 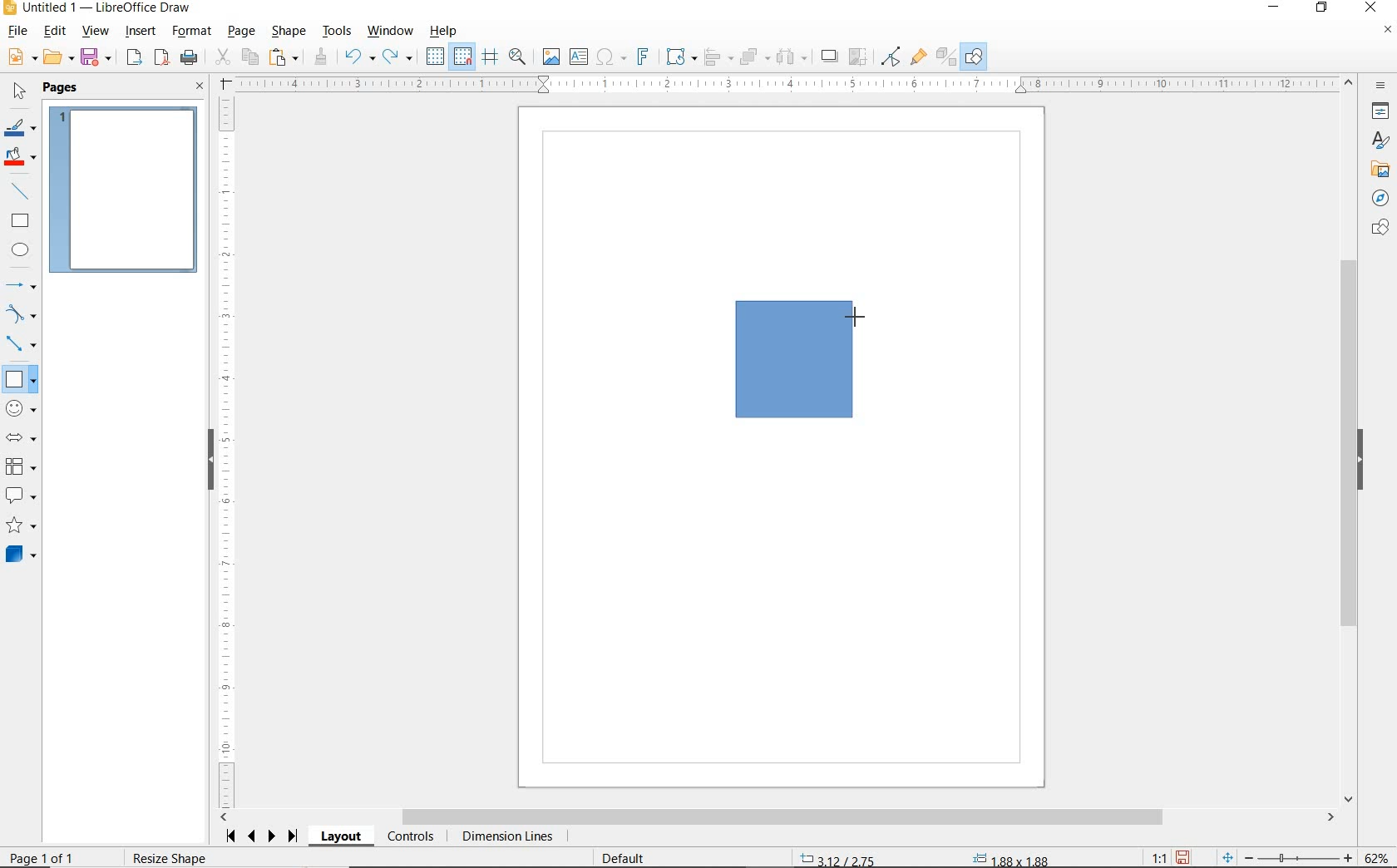 What do you see at coordinates (1387, 31) in the screenshot?
I see `CLOSE DOCUMENT` at bounding box center [1387, 31].